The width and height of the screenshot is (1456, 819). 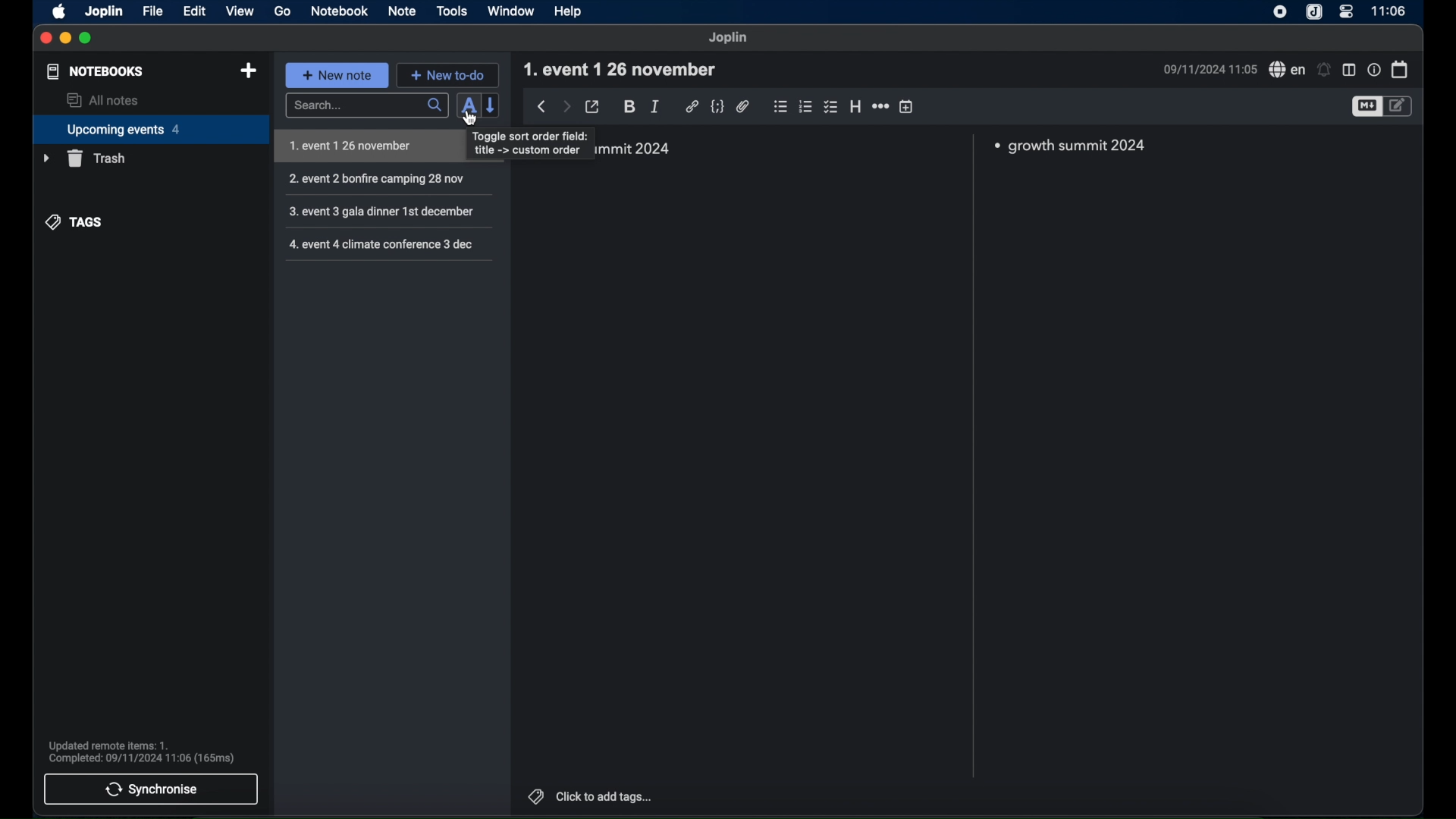 What do you see at coordinates (570, 13) in the screenshot?
I see `help` at bounding box center [570, 13].